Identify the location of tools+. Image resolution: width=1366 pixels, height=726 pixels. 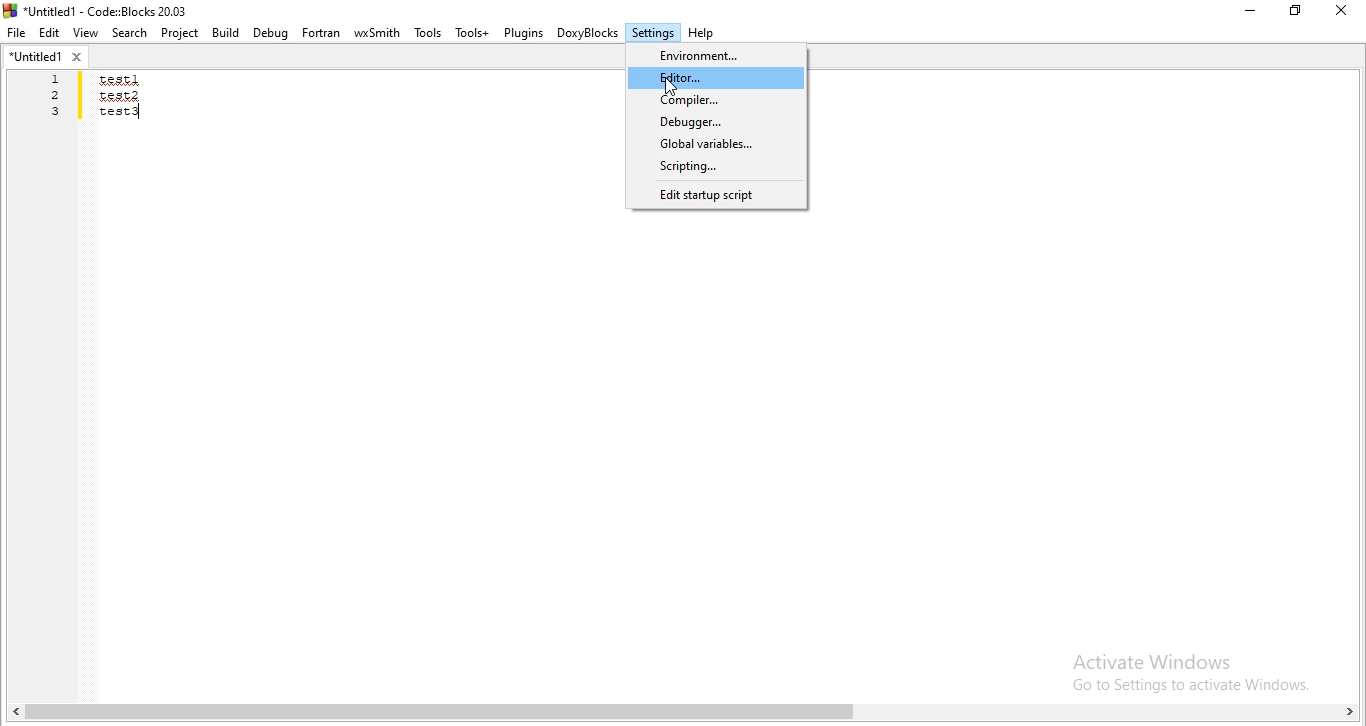
(470, 33).